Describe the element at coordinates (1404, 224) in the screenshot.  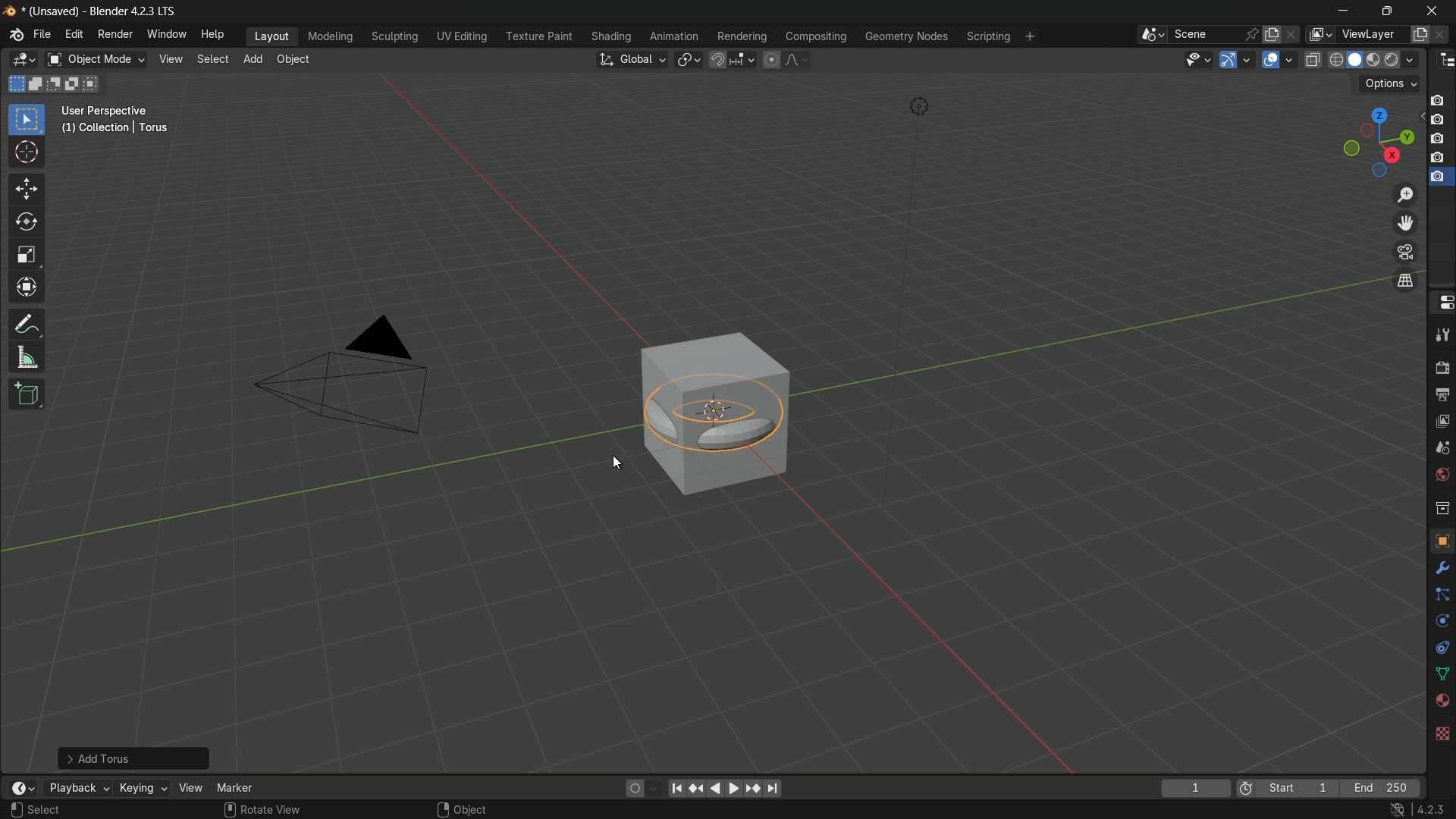
I see `move the view` at that location.